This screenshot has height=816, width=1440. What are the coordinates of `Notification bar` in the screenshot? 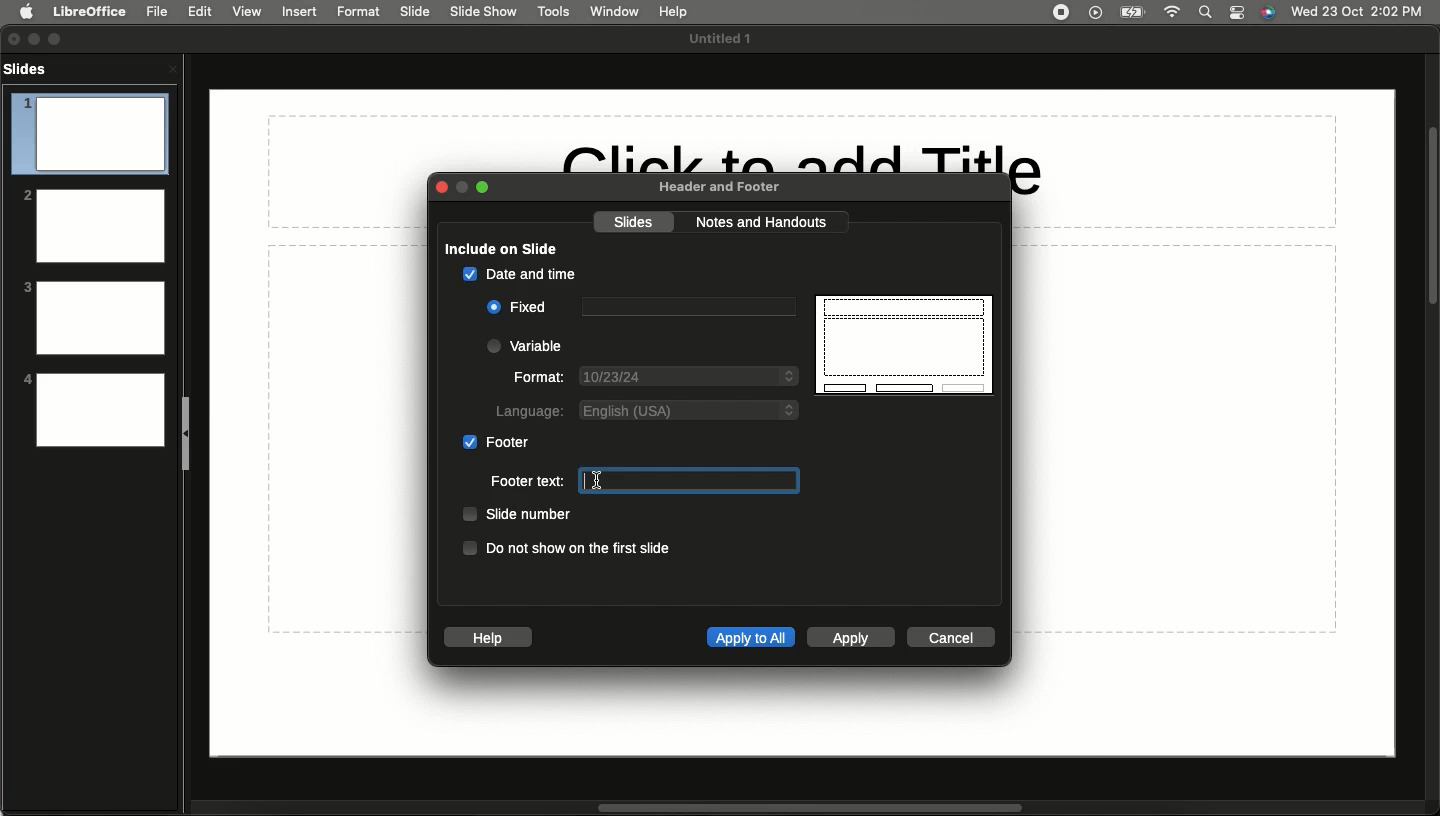 It's located at (1238, 13).